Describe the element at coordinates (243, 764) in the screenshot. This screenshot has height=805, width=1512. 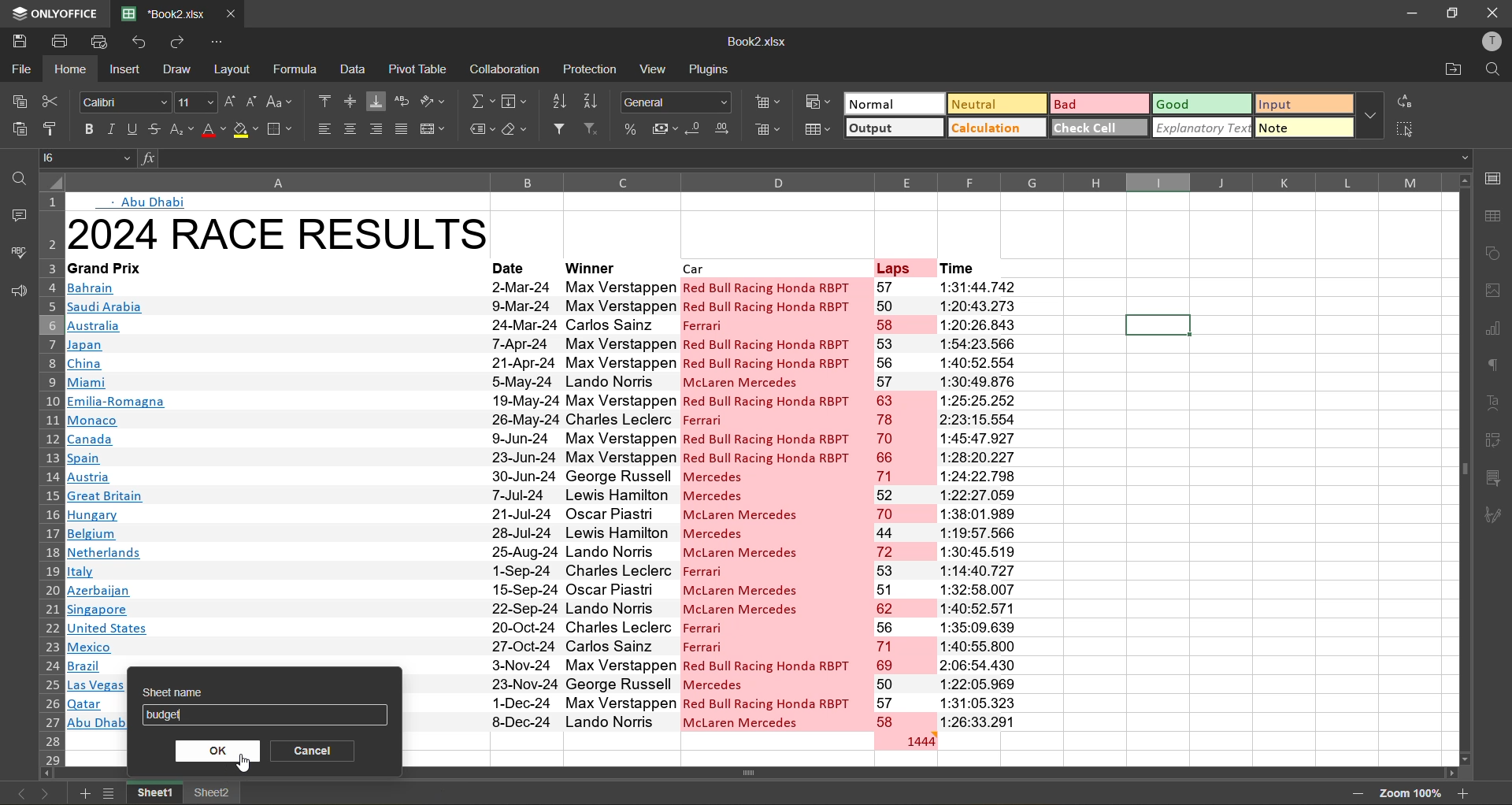
I see `cursor` at that location.